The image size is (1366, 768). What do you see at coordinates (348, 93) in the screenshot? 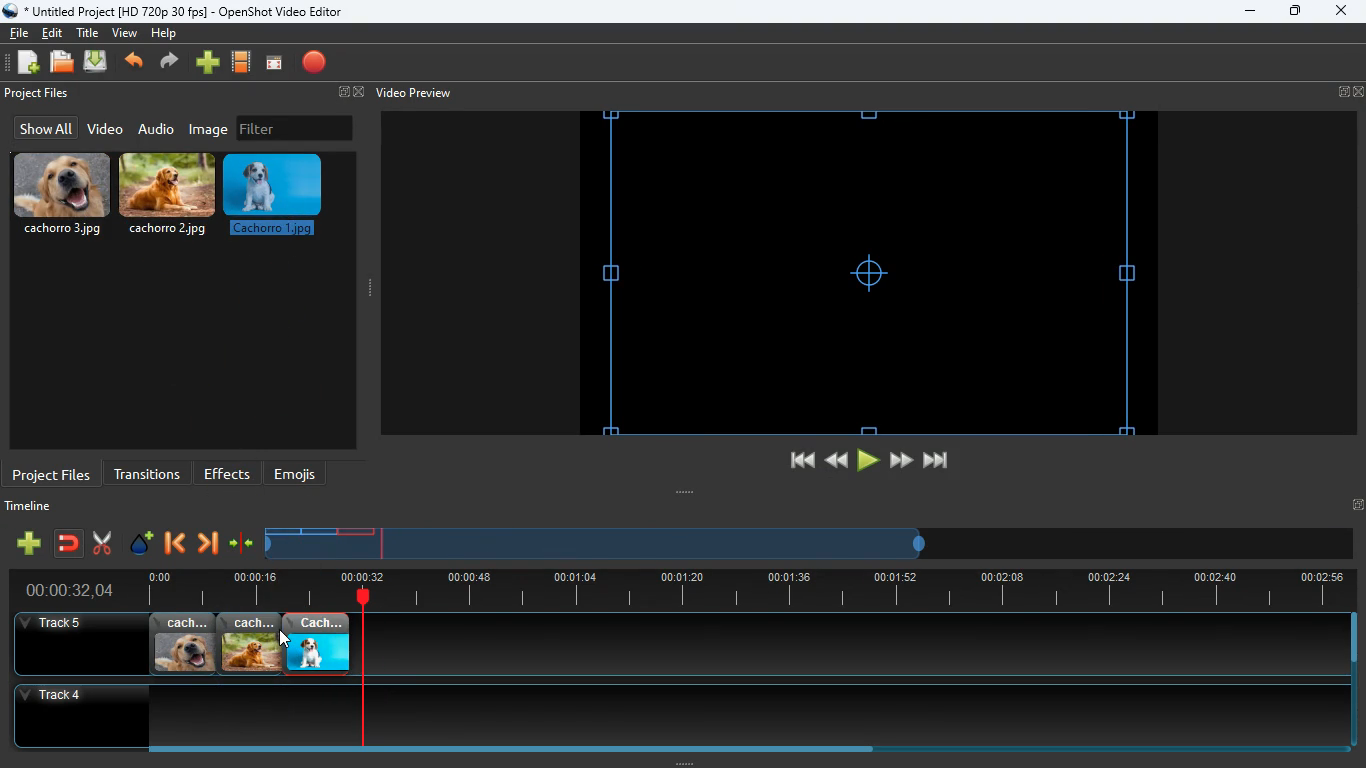
I see `fullscreen` at bounding box center [348, 93].